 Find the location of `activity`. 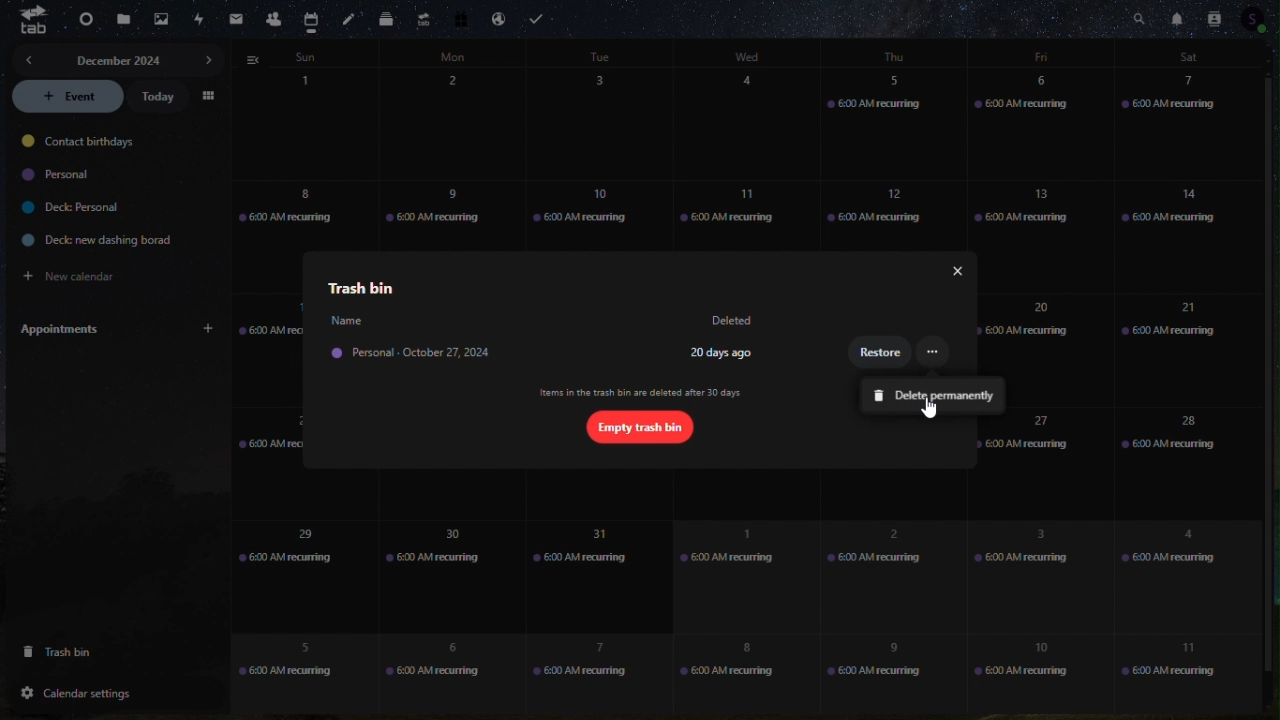

activity is located at coordinates (198, 20).